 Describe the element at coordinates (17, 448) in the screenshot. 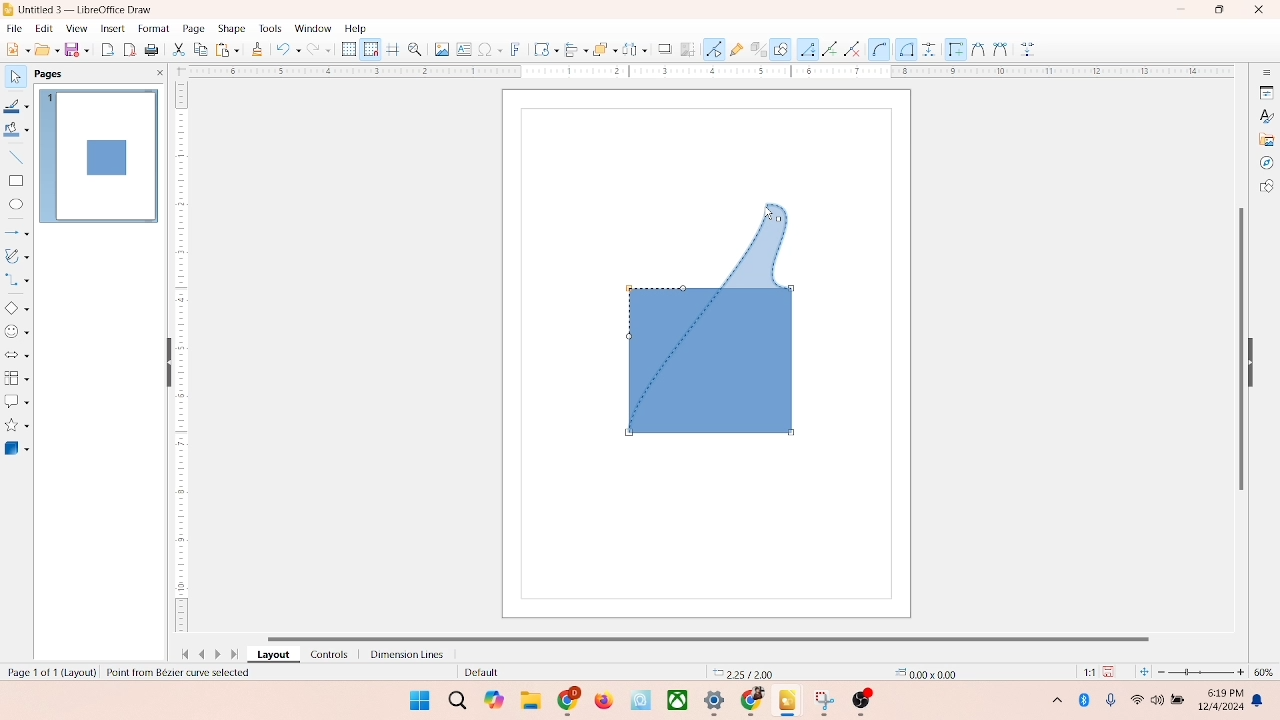

I see `3D shape` at that location.